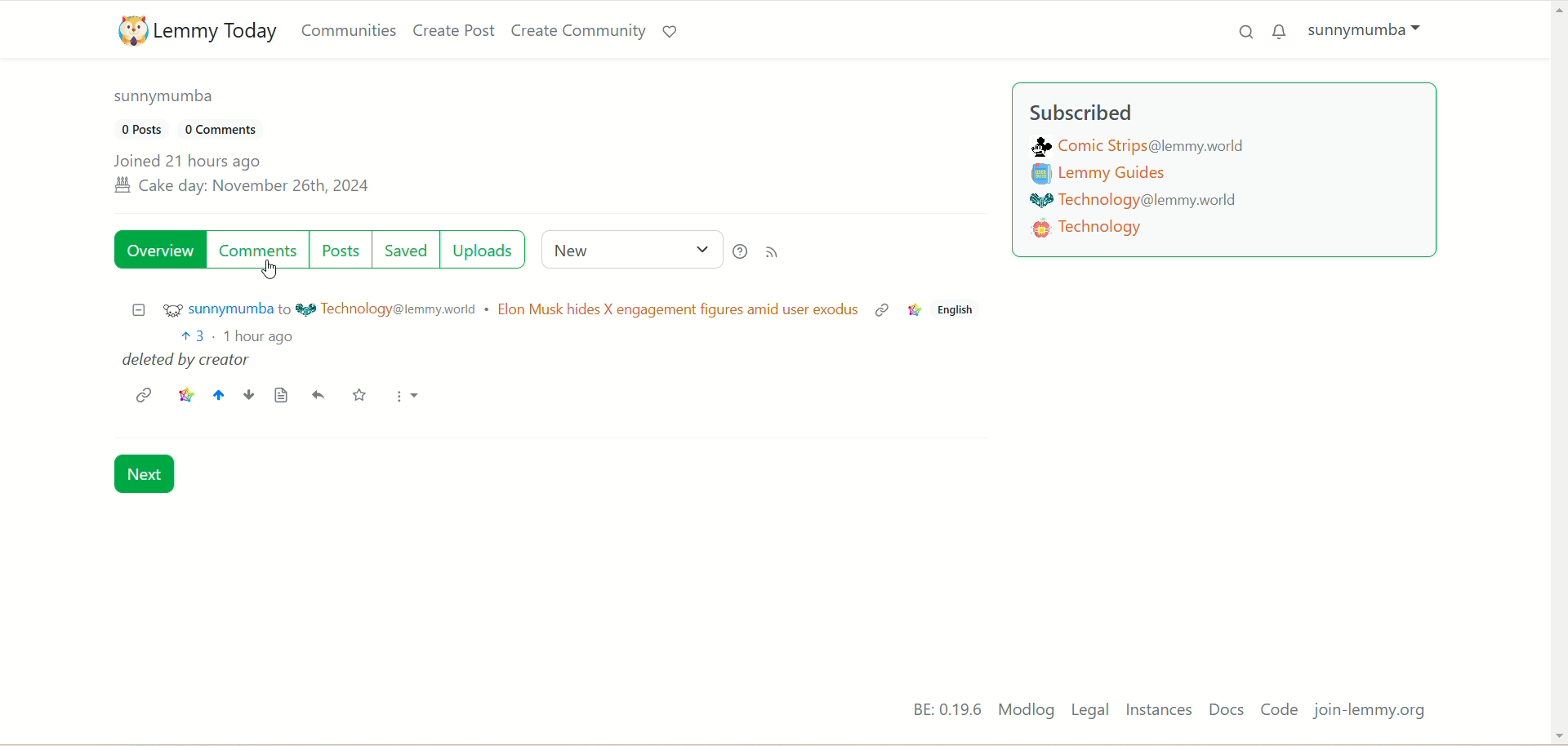 The width and height of the screenshot is (1568, 746). Describe the element at coordinates (1558, 371) in the screenshot. I see `vertical scroll bar` at that location.